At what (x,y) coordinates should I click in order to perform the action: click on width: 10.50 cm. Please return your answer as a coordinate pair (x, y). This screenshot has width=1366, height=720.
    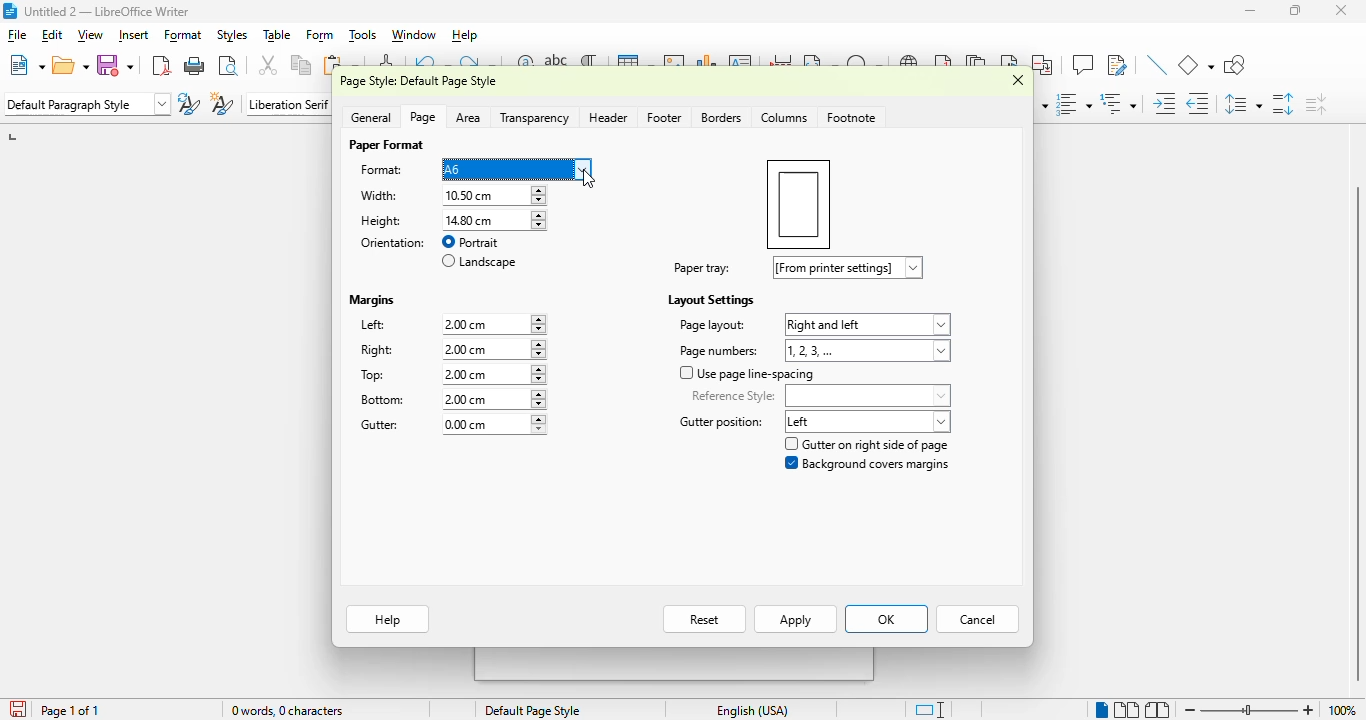
    Looking at the image, I should click on (450, 195).